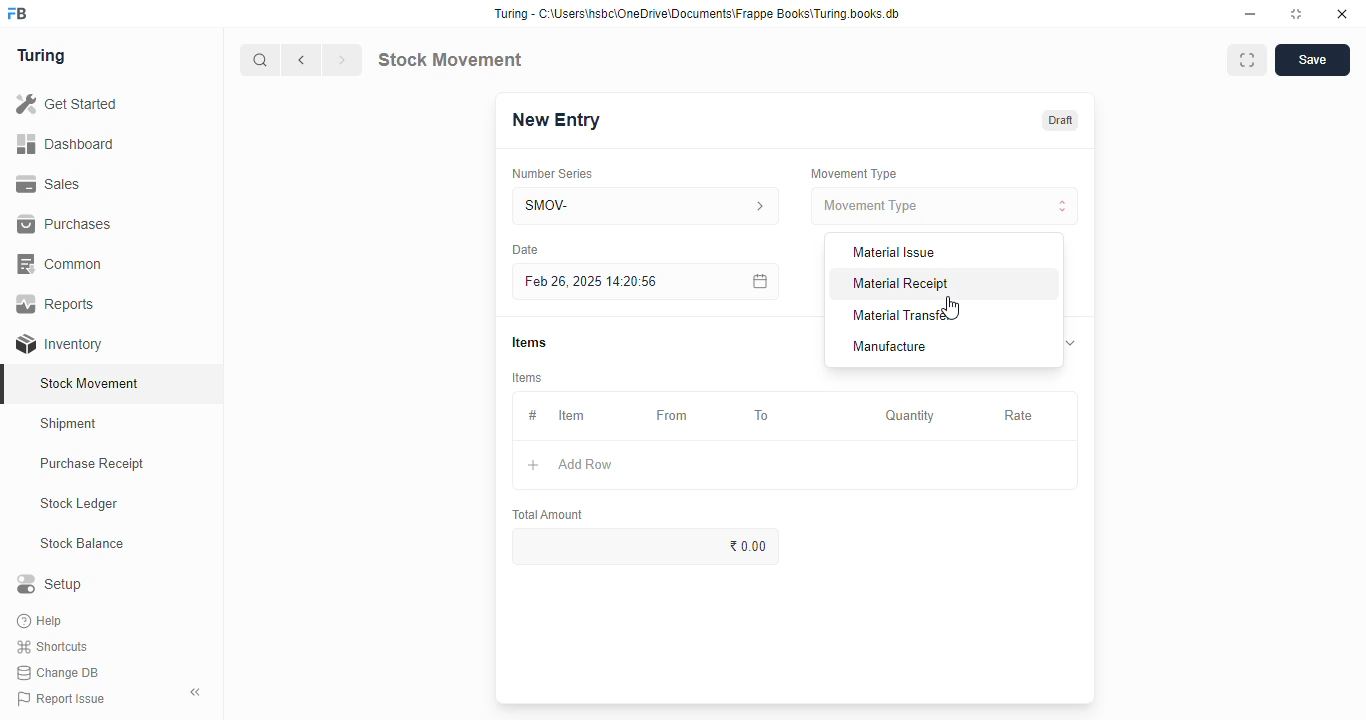 The image size is (1366, 720). What do you see at coordinates (529, 342) in the screenshot?
I see `items` at bounding box center [529, 342].